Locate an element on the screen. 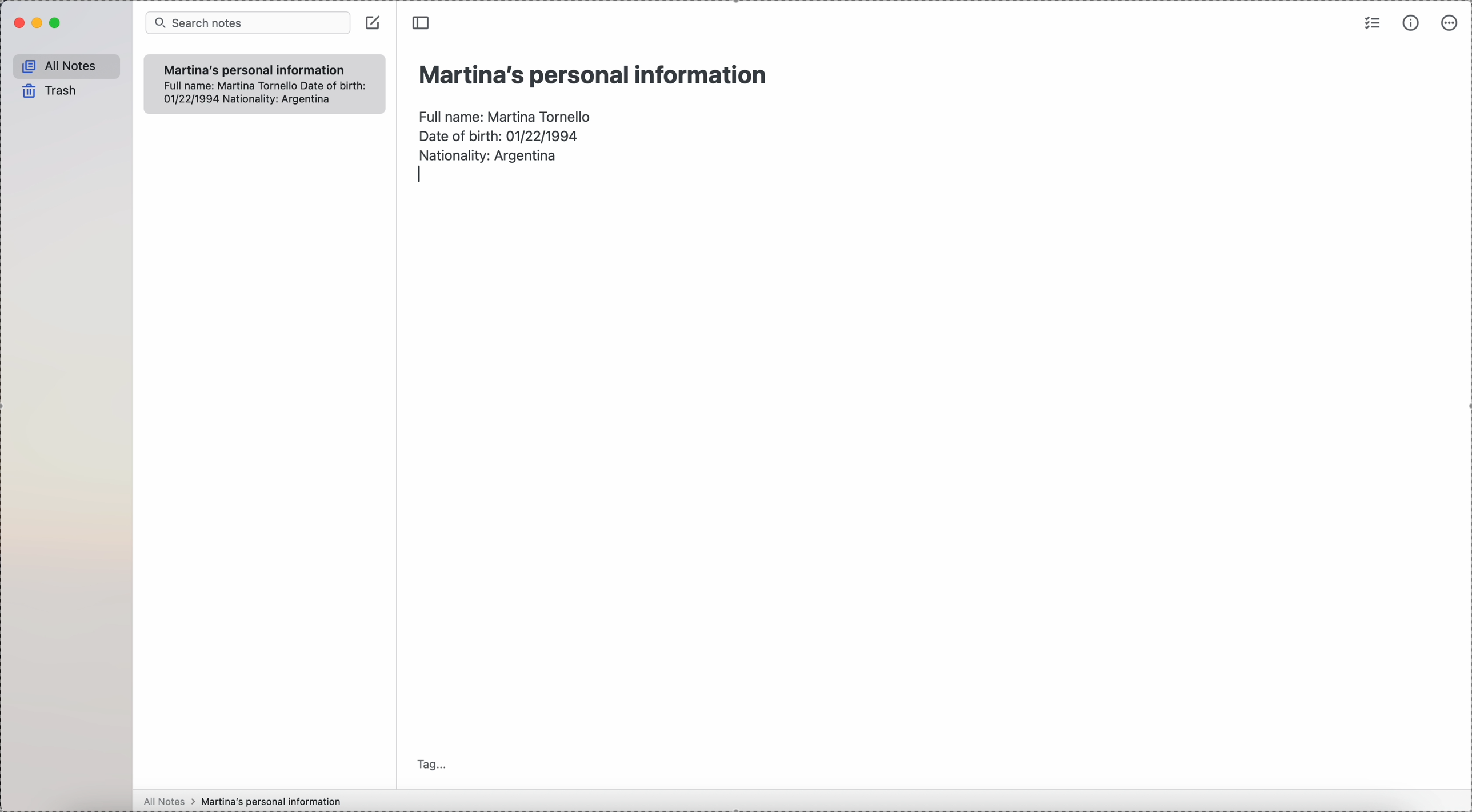 The height and width of the screenshot is (812, 1472). more options is located at coordinates (1448, 24).